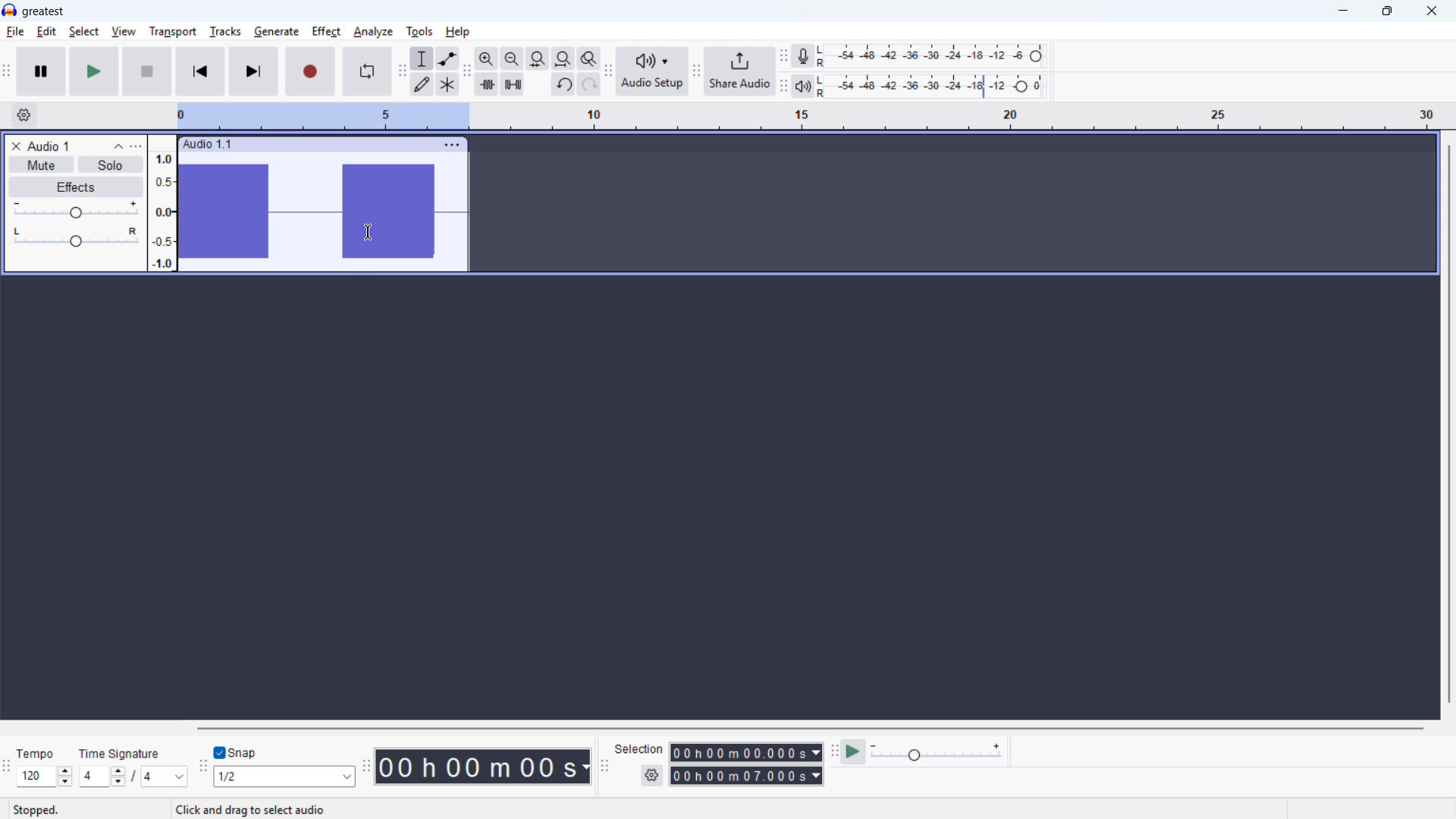 The height and width of the screenshot is (819, 1456). What do you see at coordinates (366, 766) in the screenshot?
I see `Time toolbar ` at bounding box center [366, 766].